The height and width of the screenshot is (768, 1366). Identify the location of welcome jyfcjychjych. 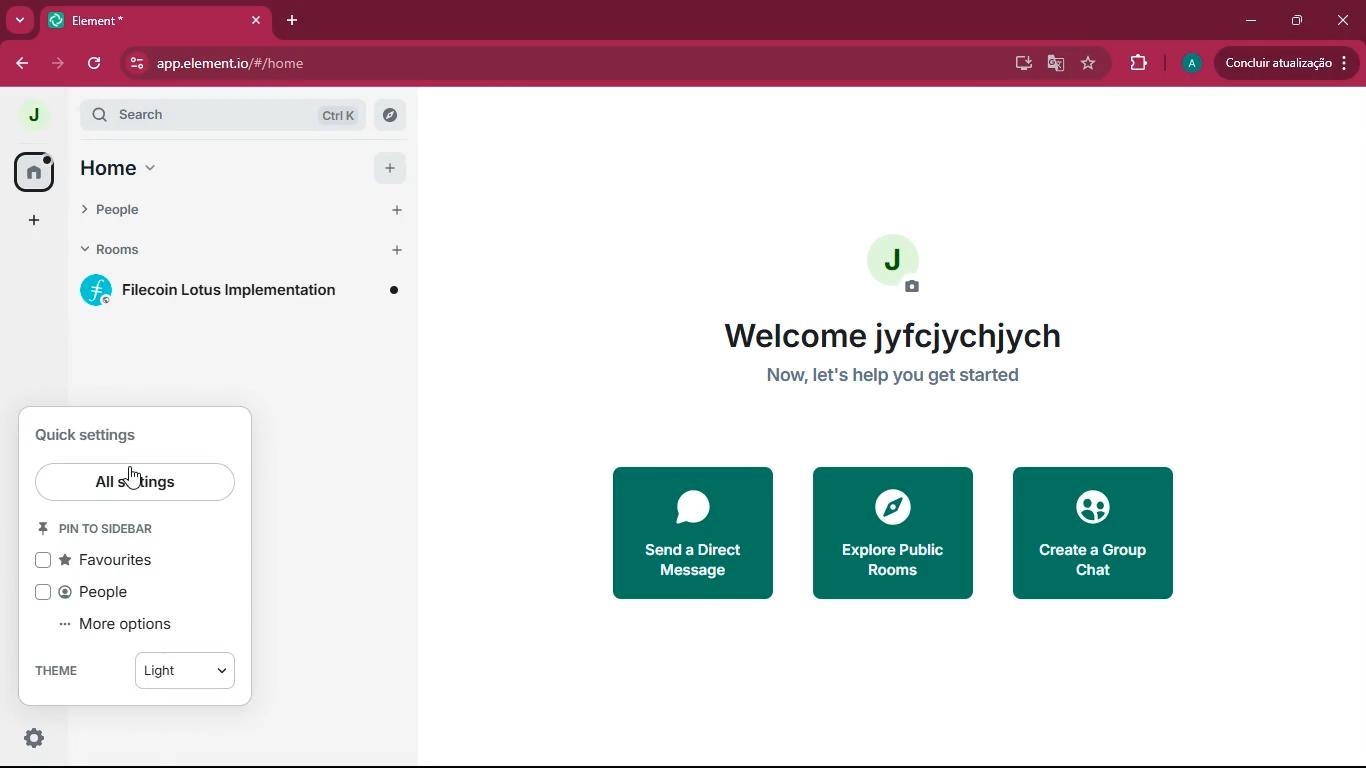
(911, 337).